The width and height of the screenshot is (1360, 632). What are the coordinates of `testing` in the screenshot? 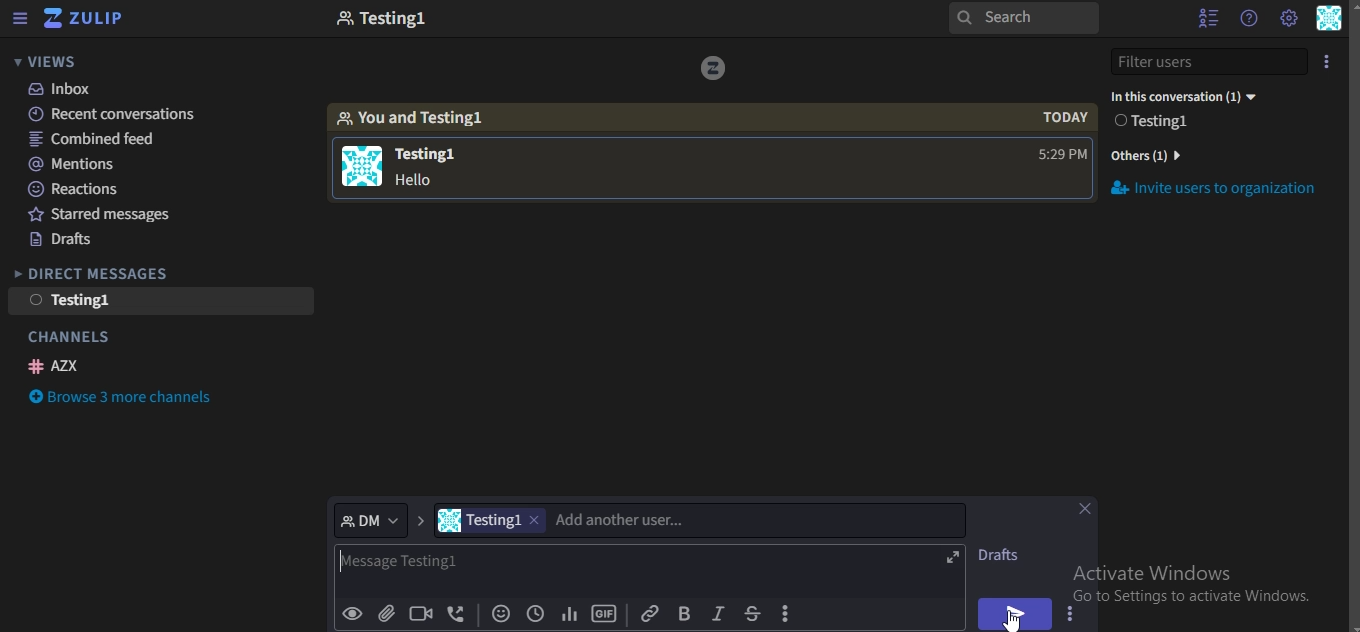 It's located at (395, 20).